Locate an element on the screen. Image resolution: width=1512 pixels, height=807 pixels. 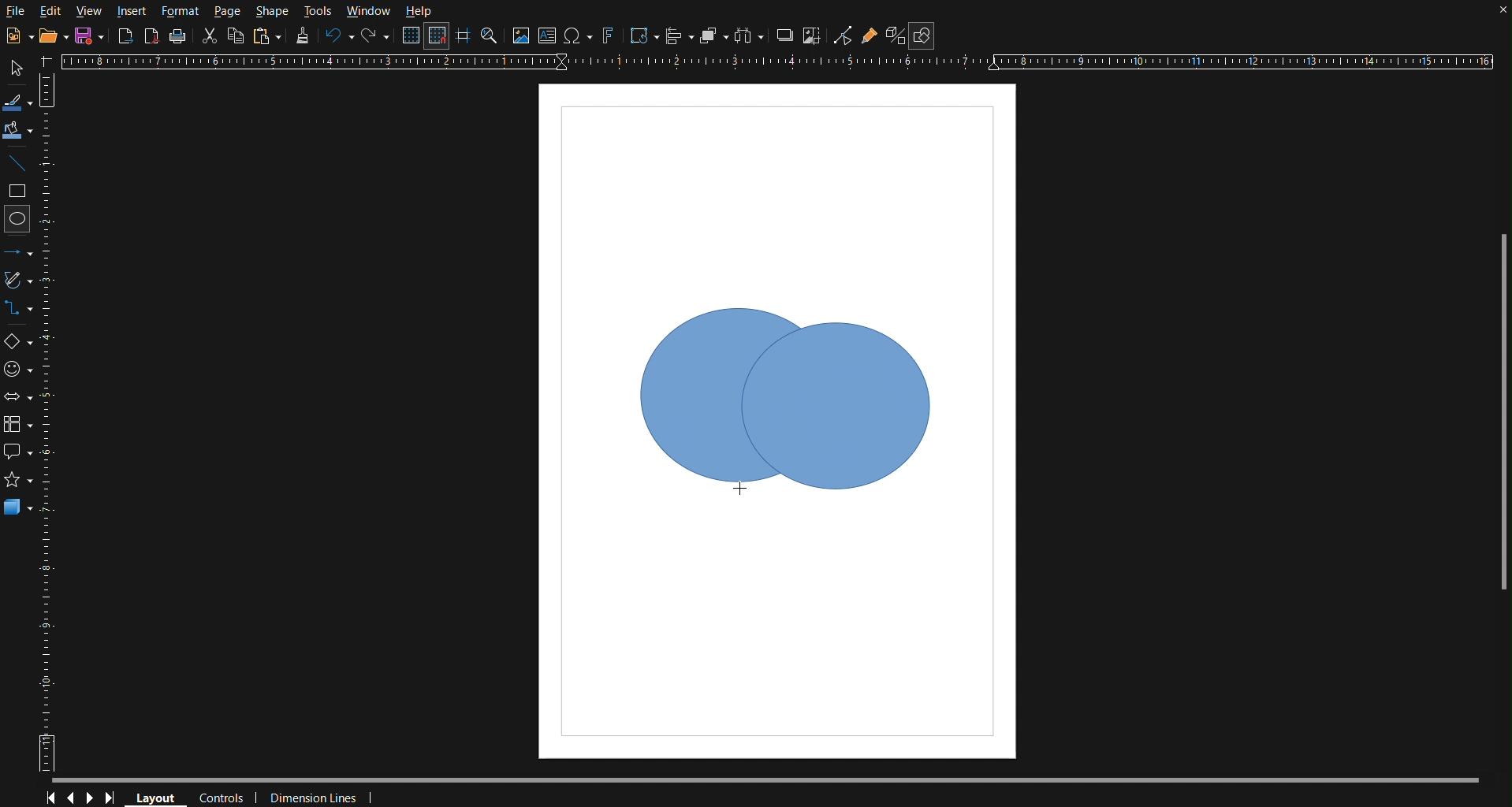
Zoom and Pan is located at coordinates (490, 38).